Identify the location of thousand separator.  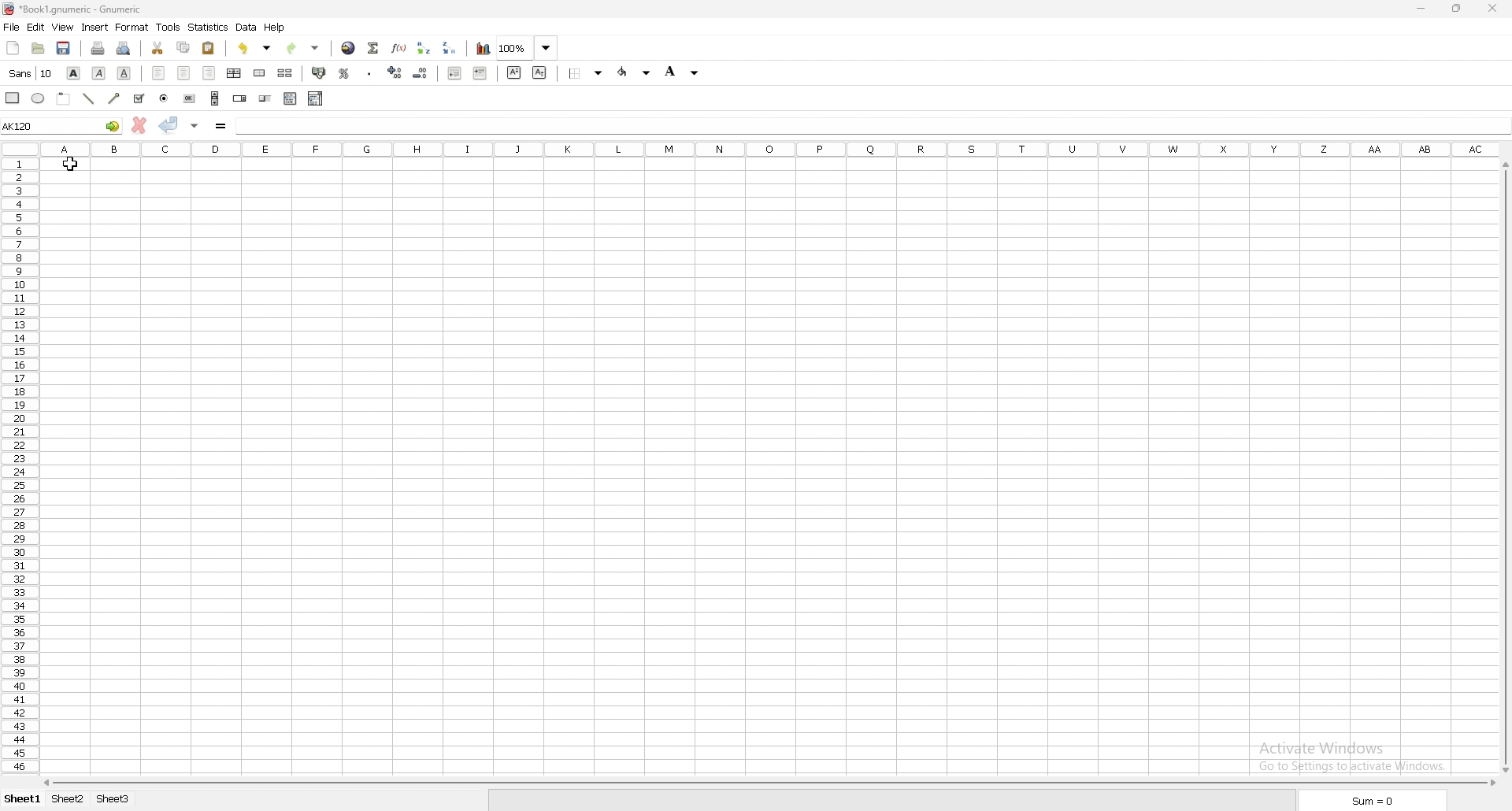
(370, 73).